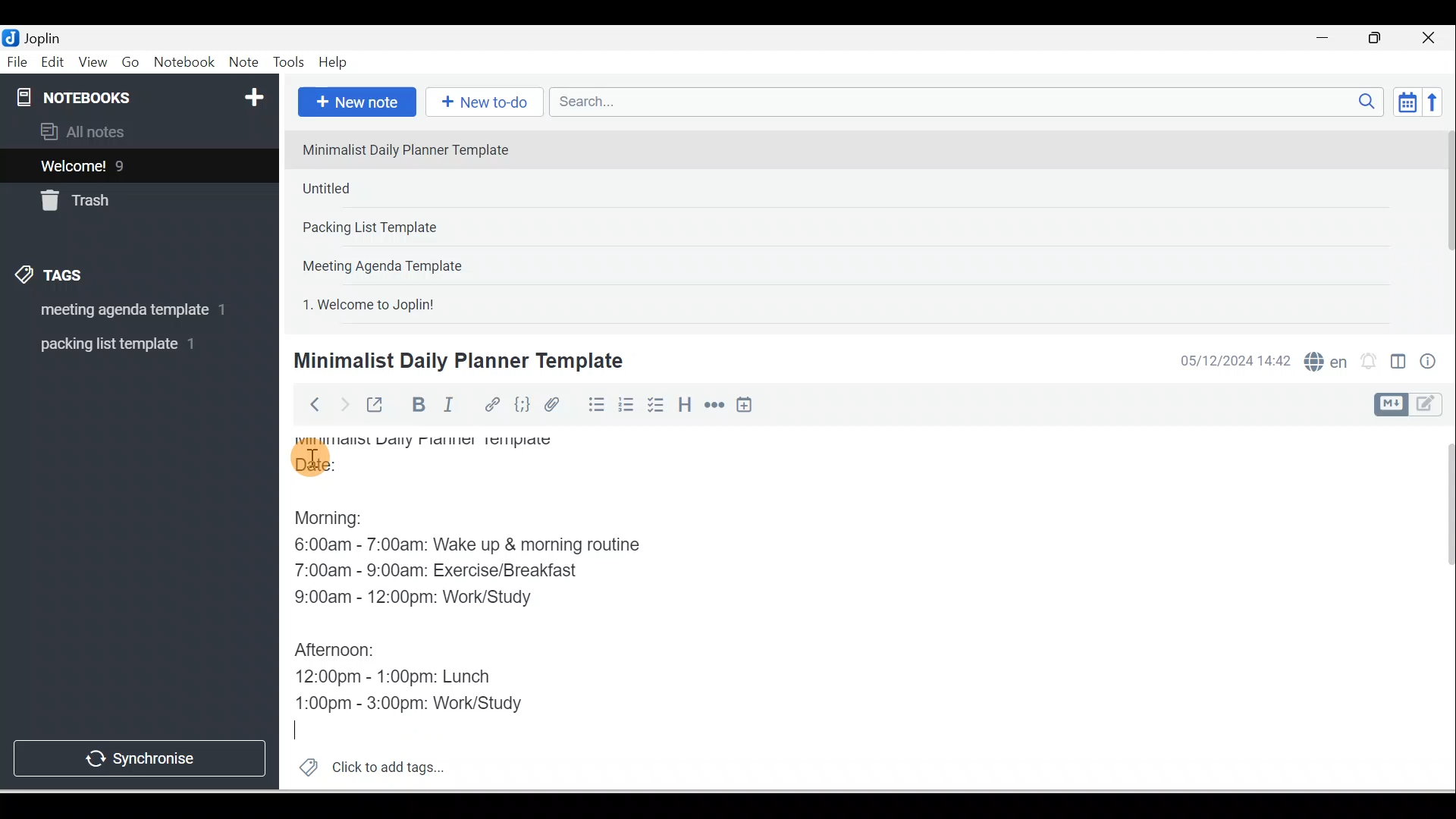  I want to click on 9:00am - 12:00pm: Work/Study, so click(419, 600).